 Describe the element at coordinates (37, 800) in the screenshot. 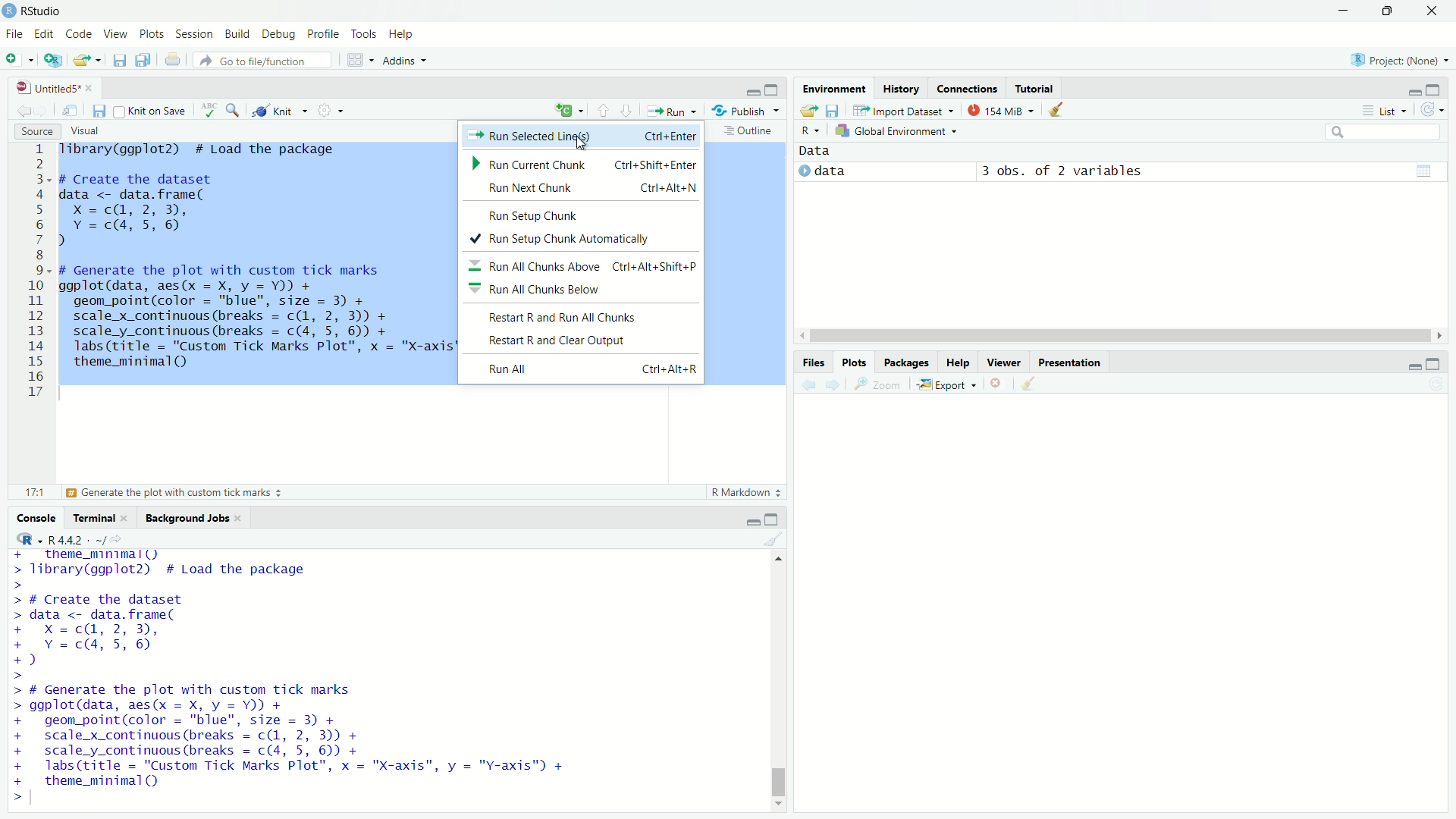

I see `typing cursor` at that location.